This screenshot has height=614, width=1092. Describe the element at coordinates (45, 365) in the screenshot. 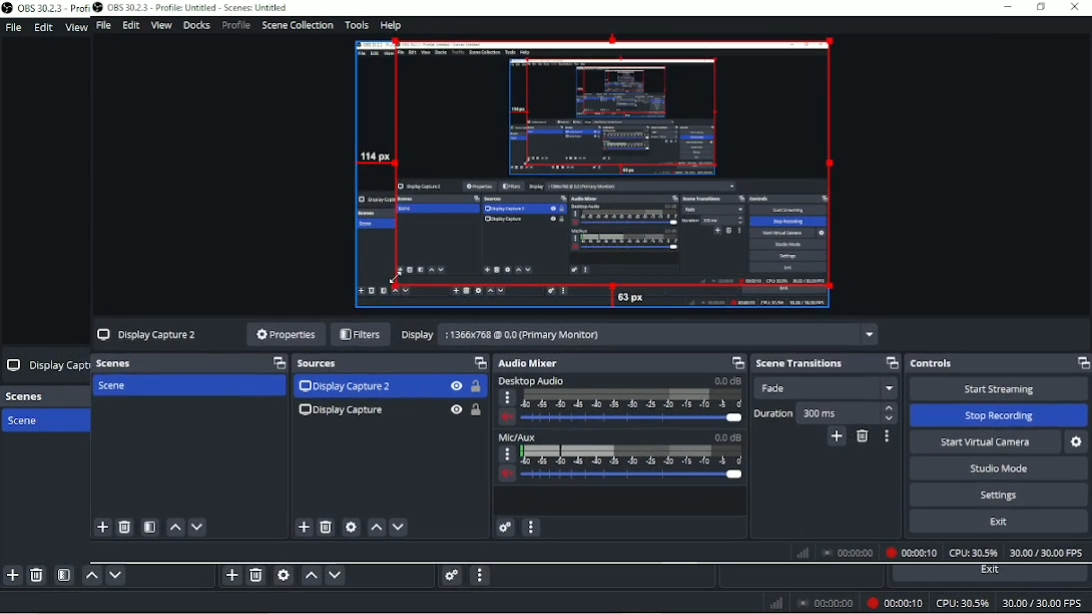

I see `Display Capt` at that location.